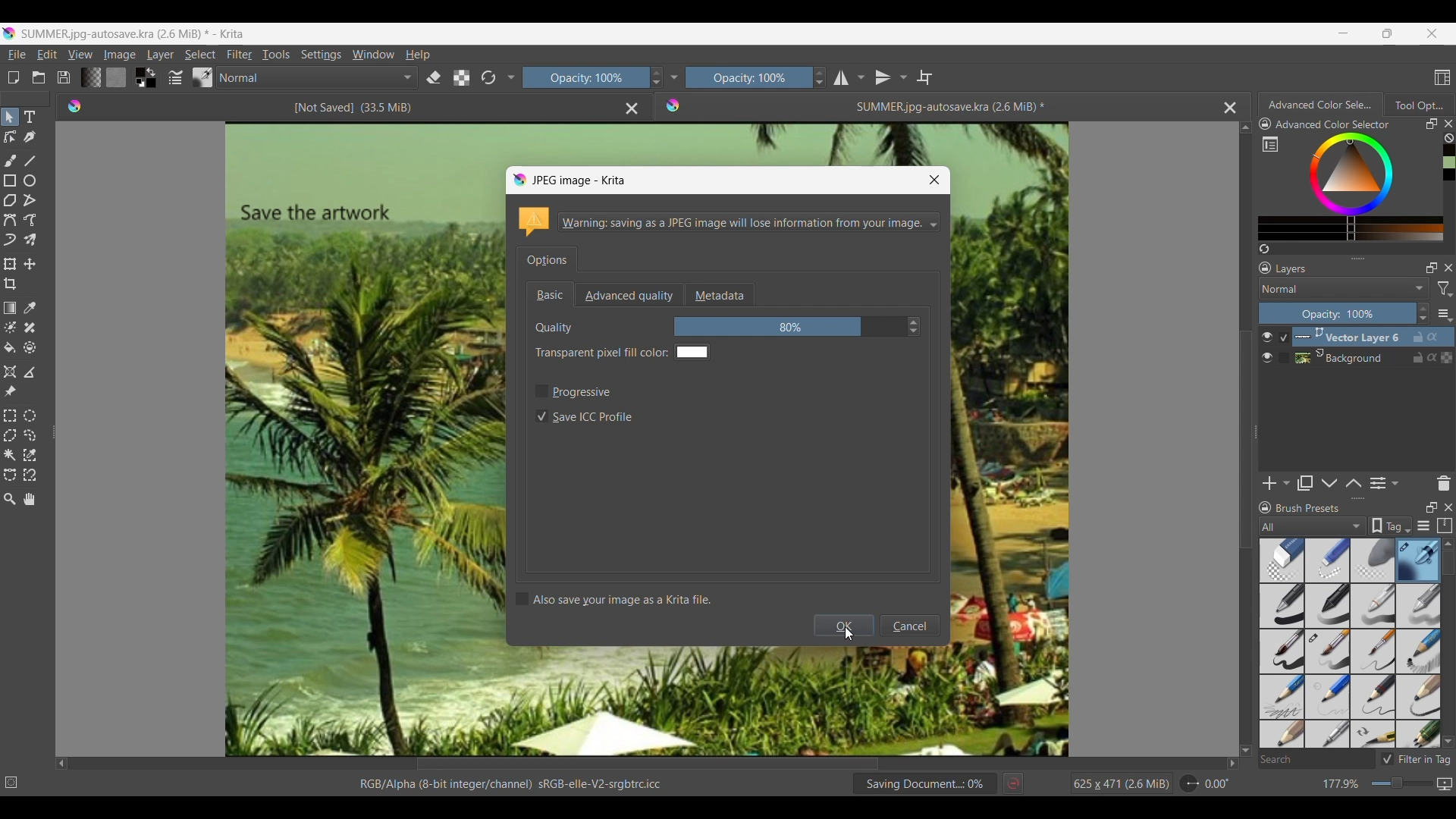 The image size is (1456, 819). Describe the element at coordinates (30, 417) in the screenshot. I see `Elliptical selection tool` at that location.